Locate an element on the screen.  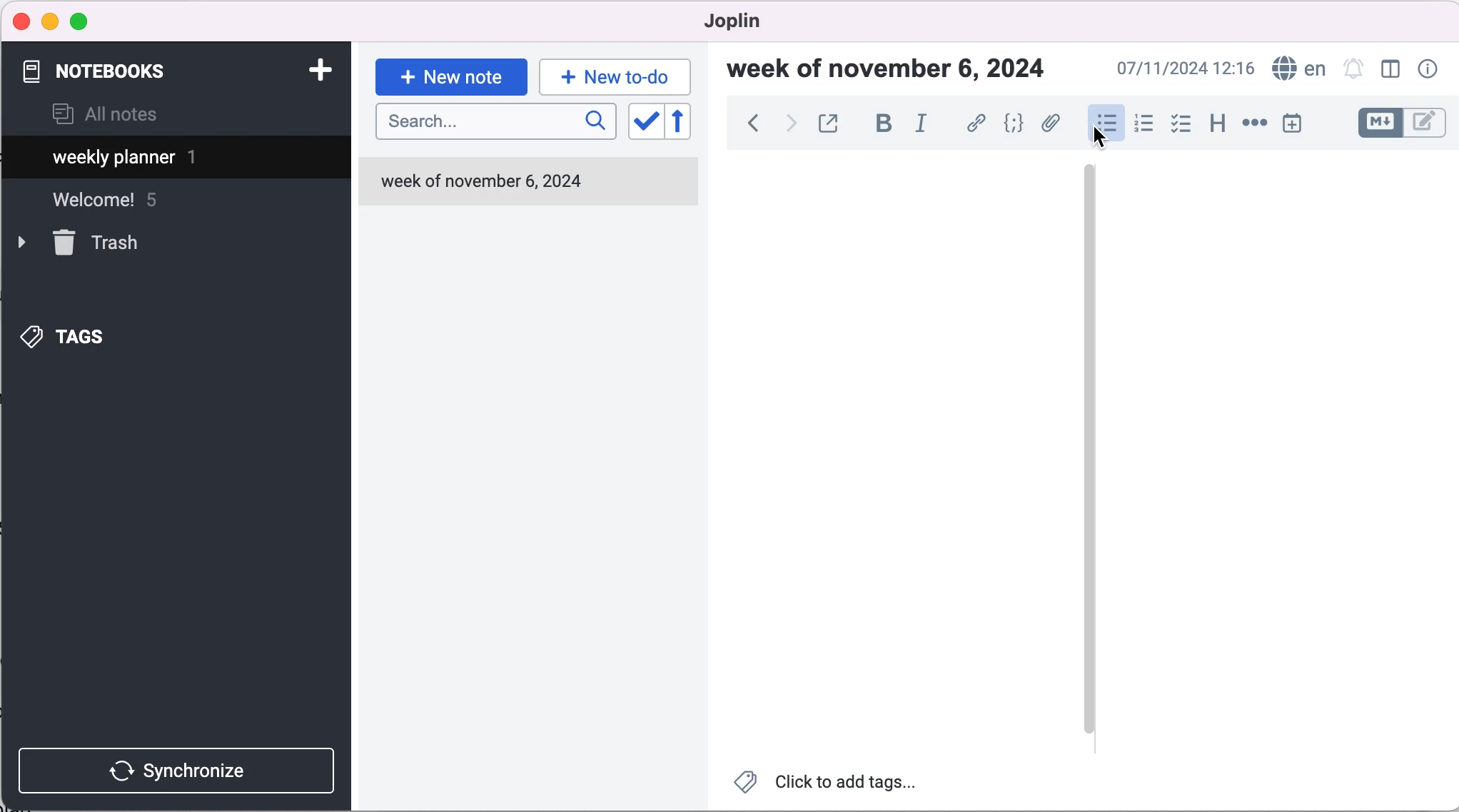
toggle external editing is located at coordinates (830, 125).